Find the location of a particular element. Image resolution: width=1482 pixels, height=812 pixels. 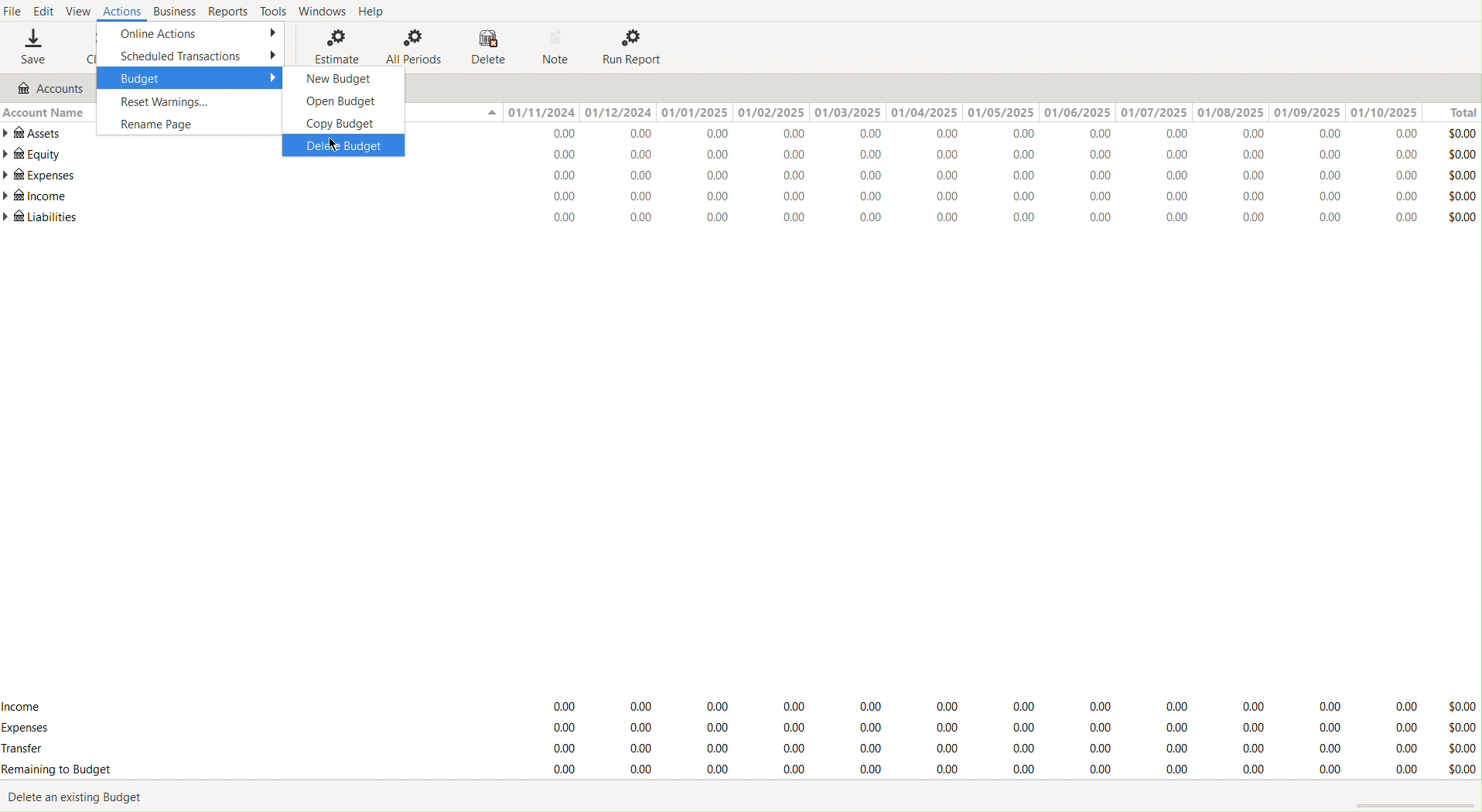

All Periods is located at coordinates (412, 44).